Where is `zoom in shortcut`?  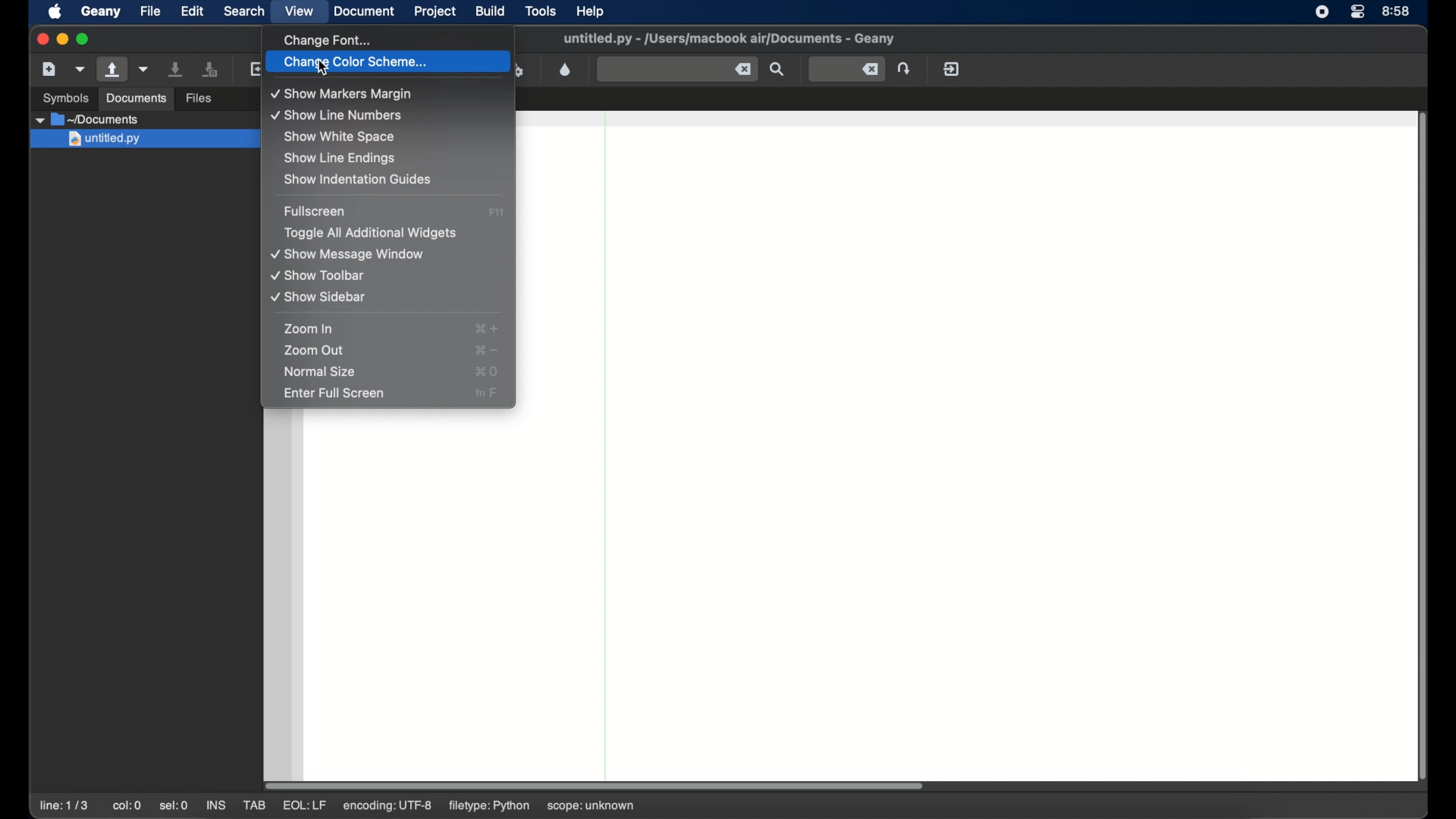
zoom in shortcut is located at coordinates (488, 328).